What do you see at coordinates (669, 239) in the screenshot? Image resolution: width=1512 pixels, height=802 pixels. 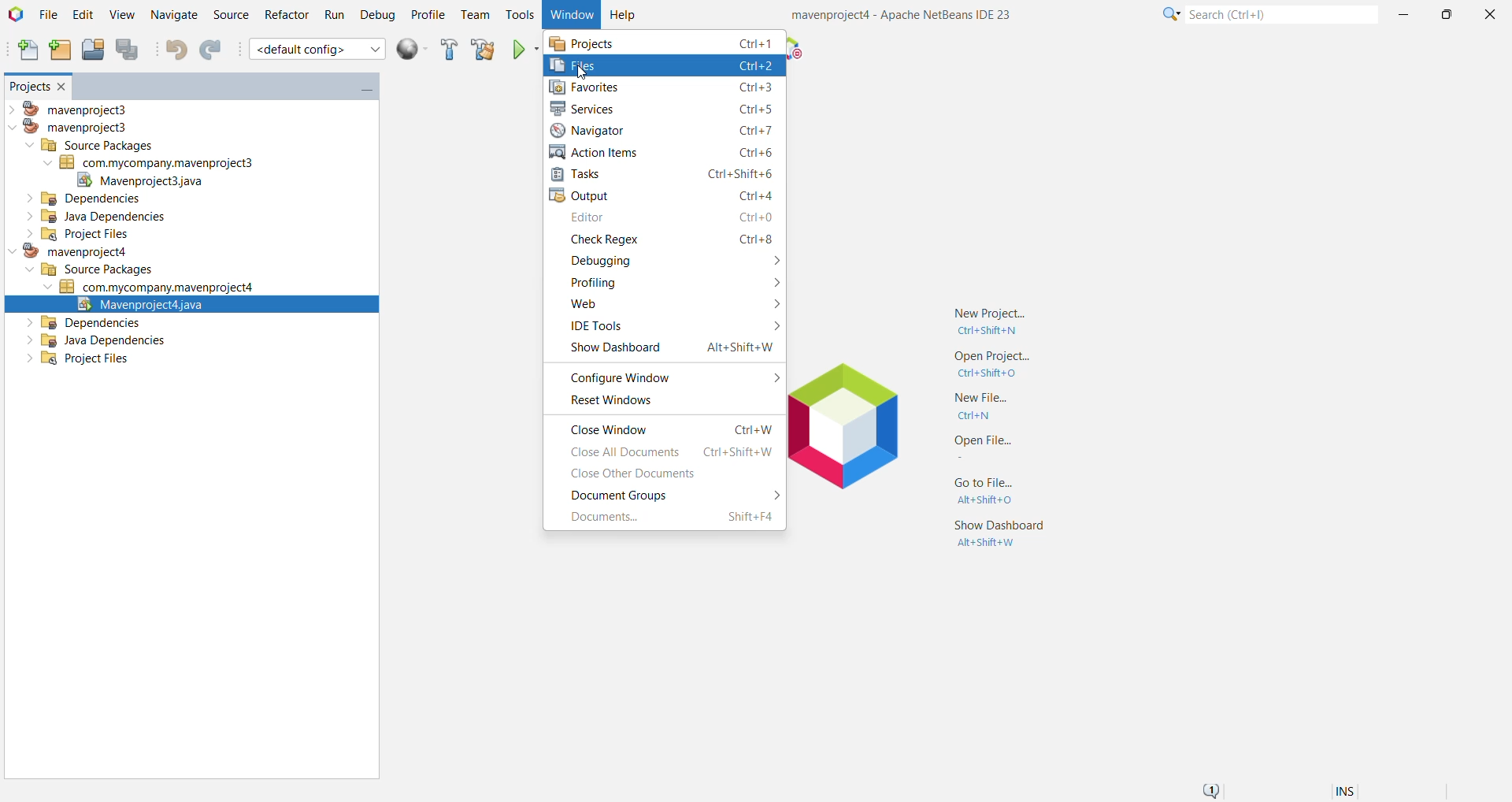 I see `Check Regex` at bounding box center [669, 239].